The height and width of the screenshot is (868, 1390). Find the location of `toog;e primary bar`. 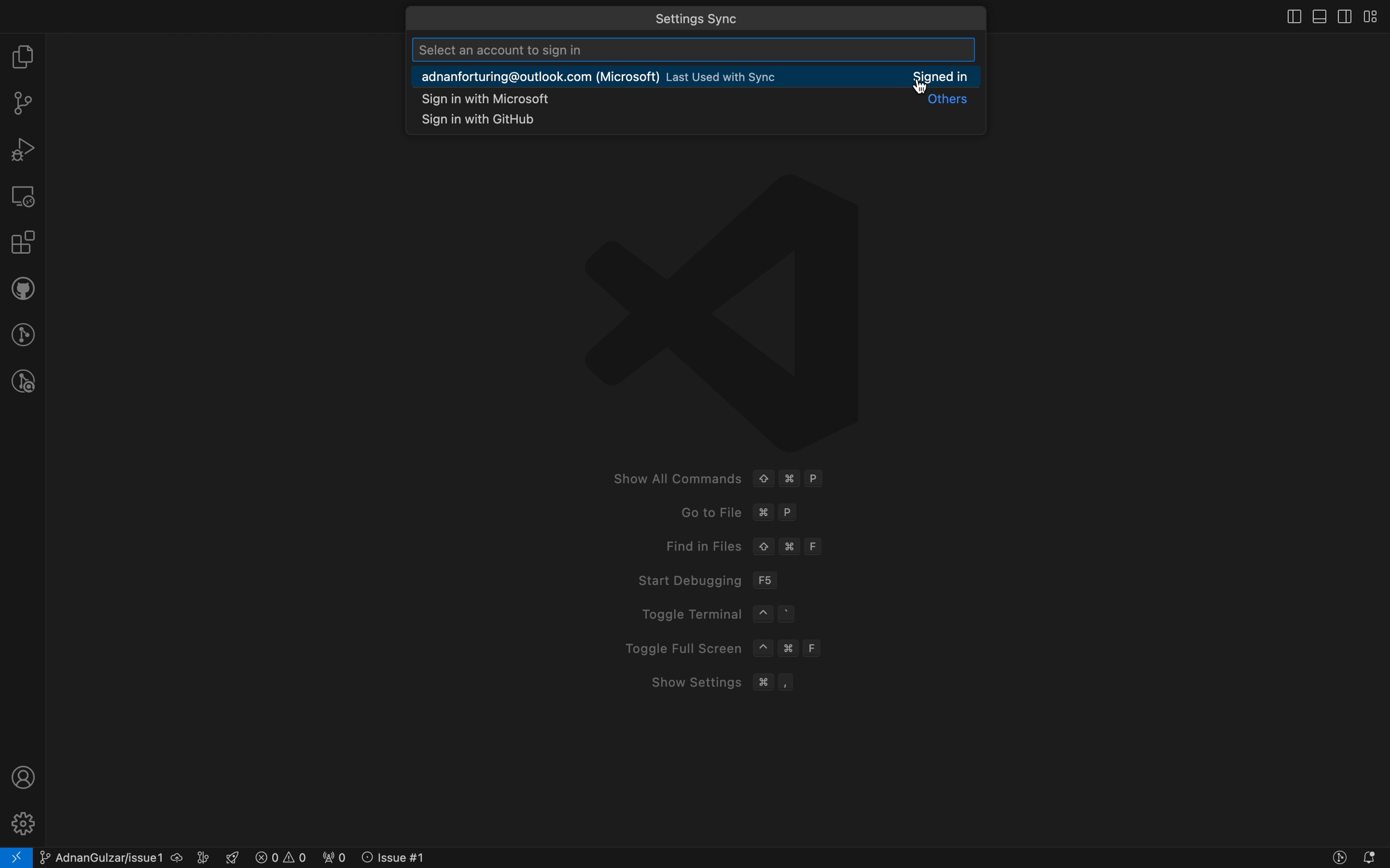

toog;e primary bar is located at coordinates (1317, 17).